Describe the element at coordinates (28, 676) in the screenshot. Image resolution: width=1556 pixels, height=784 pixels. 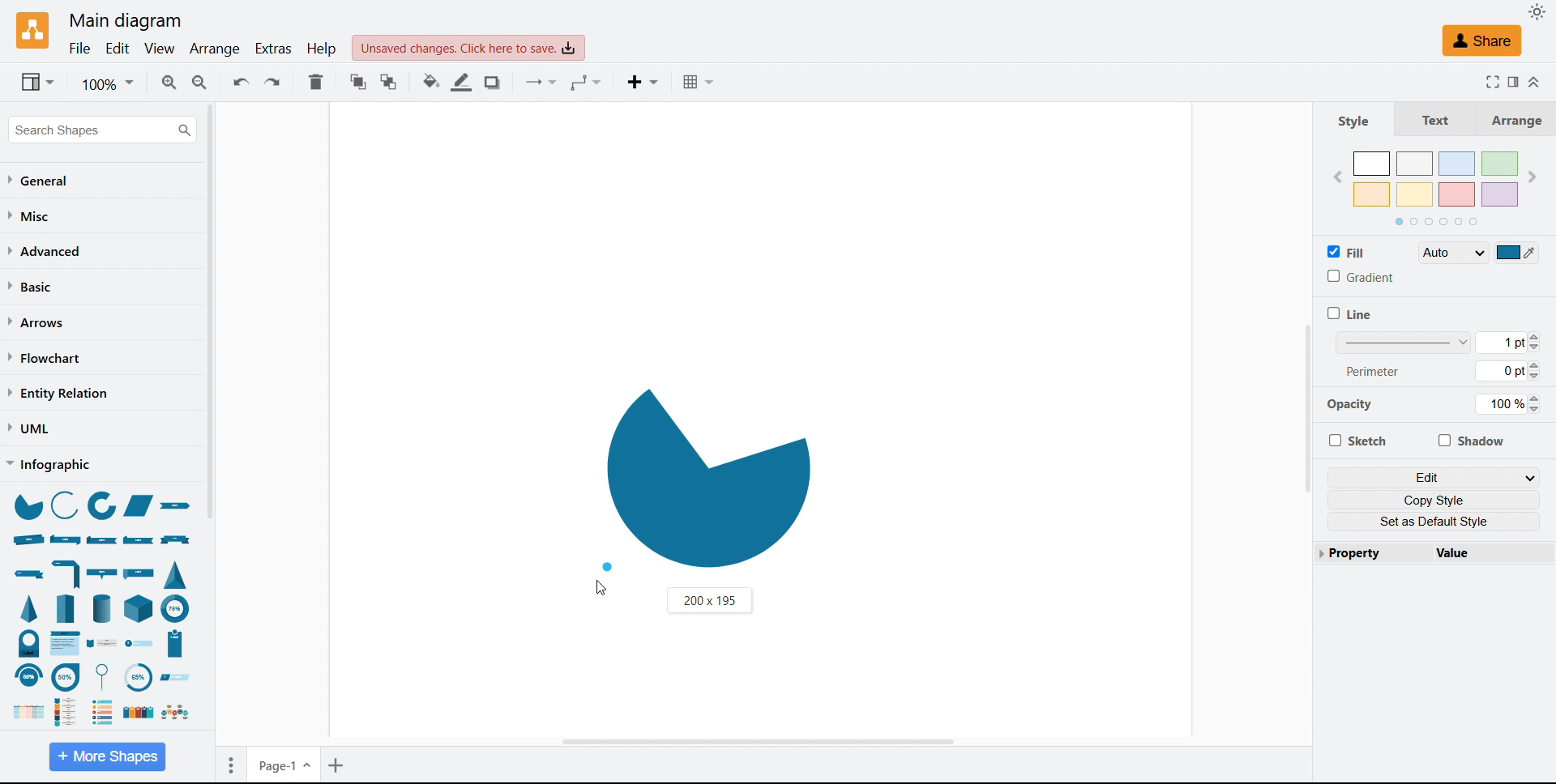
I see `bending arch` at that location.